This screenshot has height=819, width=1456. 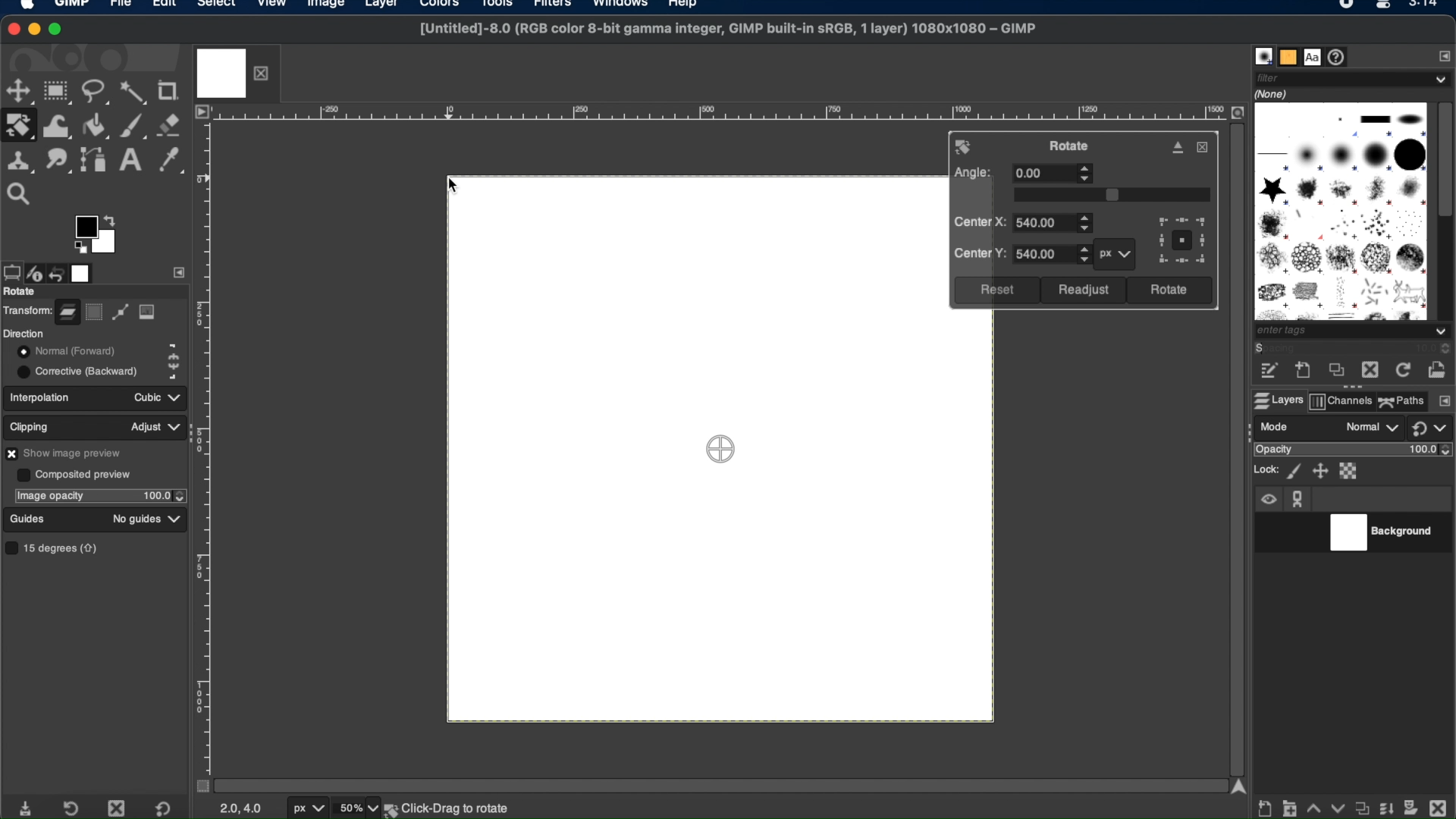 I want to click on channels, so click(x=1341, y=403).